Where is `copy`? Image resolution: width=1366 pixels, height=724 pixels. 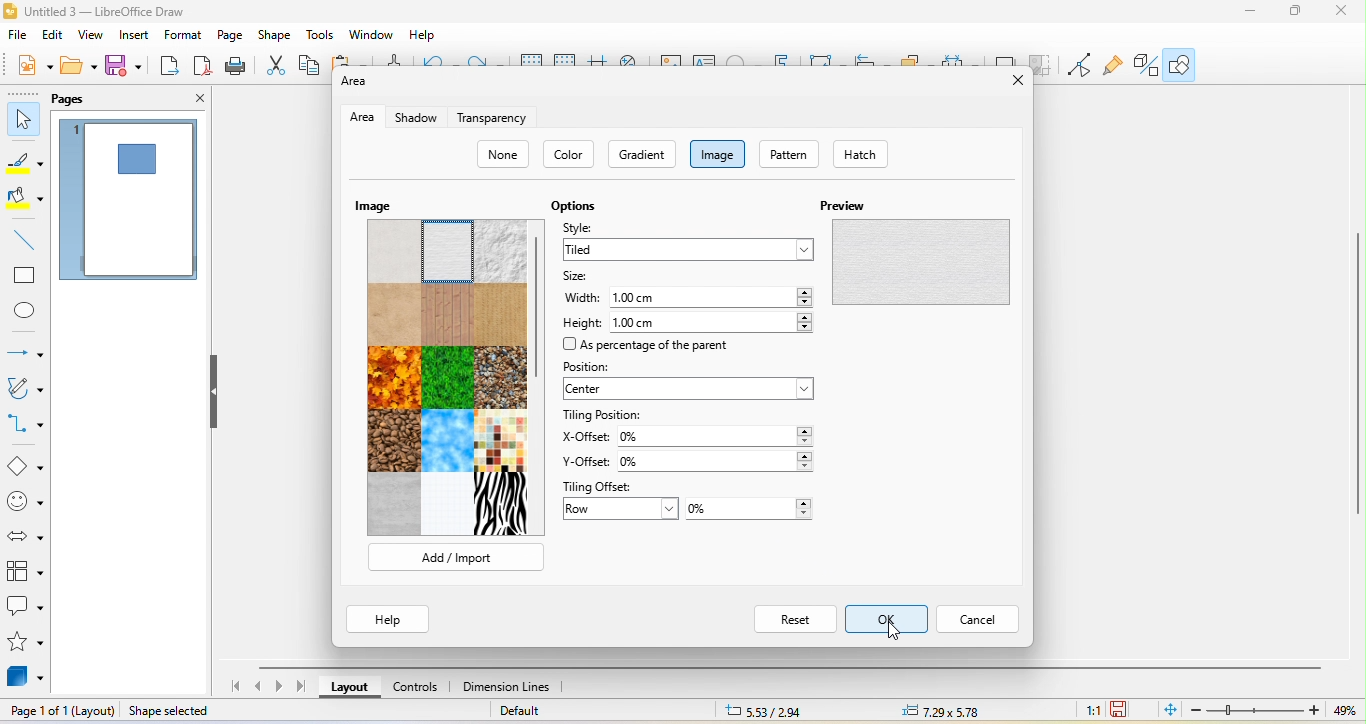
copy is located at coordinates (311, 69).